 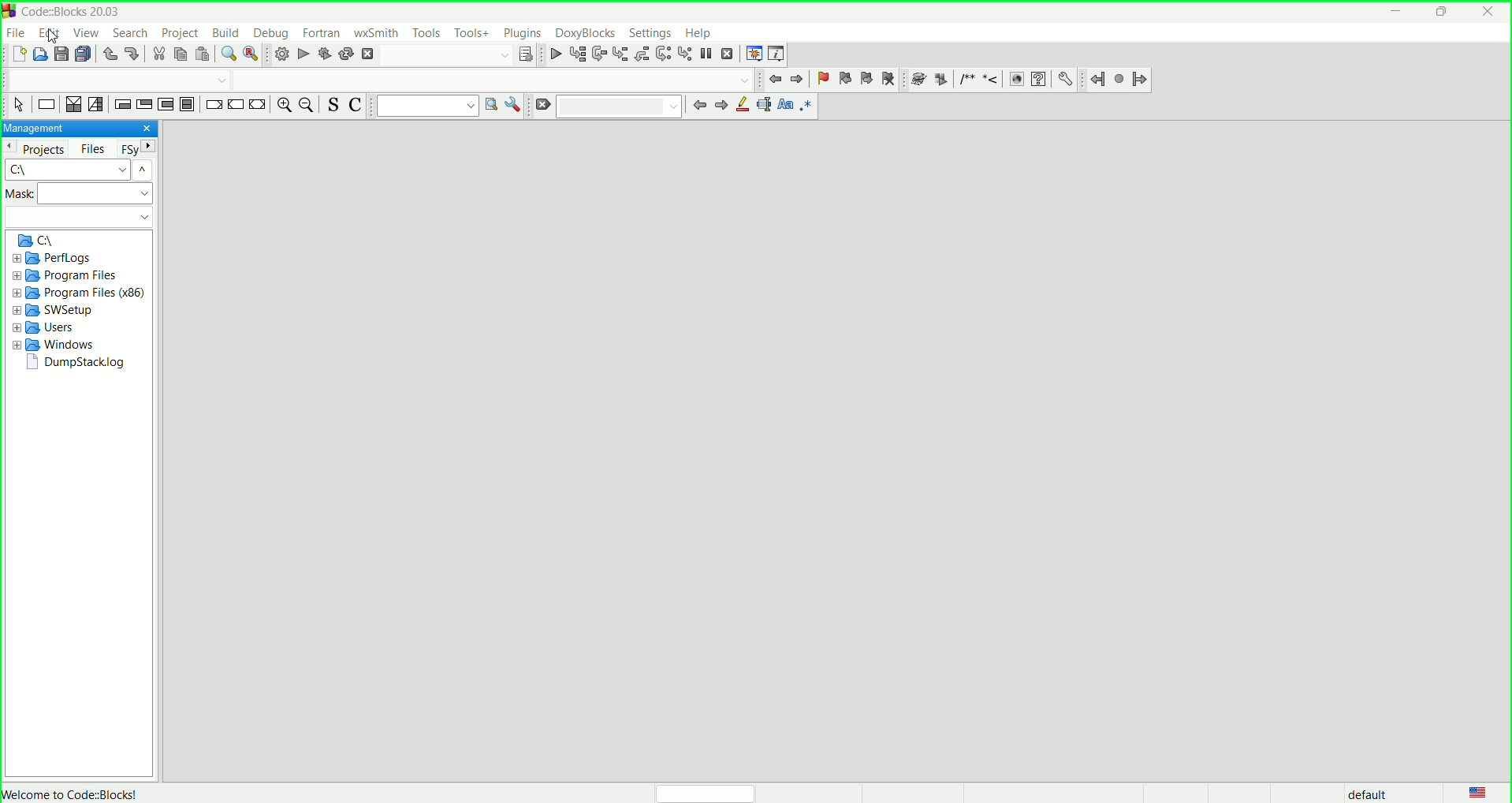 I want to click on prev bookmark, so click(x=845, y=77).